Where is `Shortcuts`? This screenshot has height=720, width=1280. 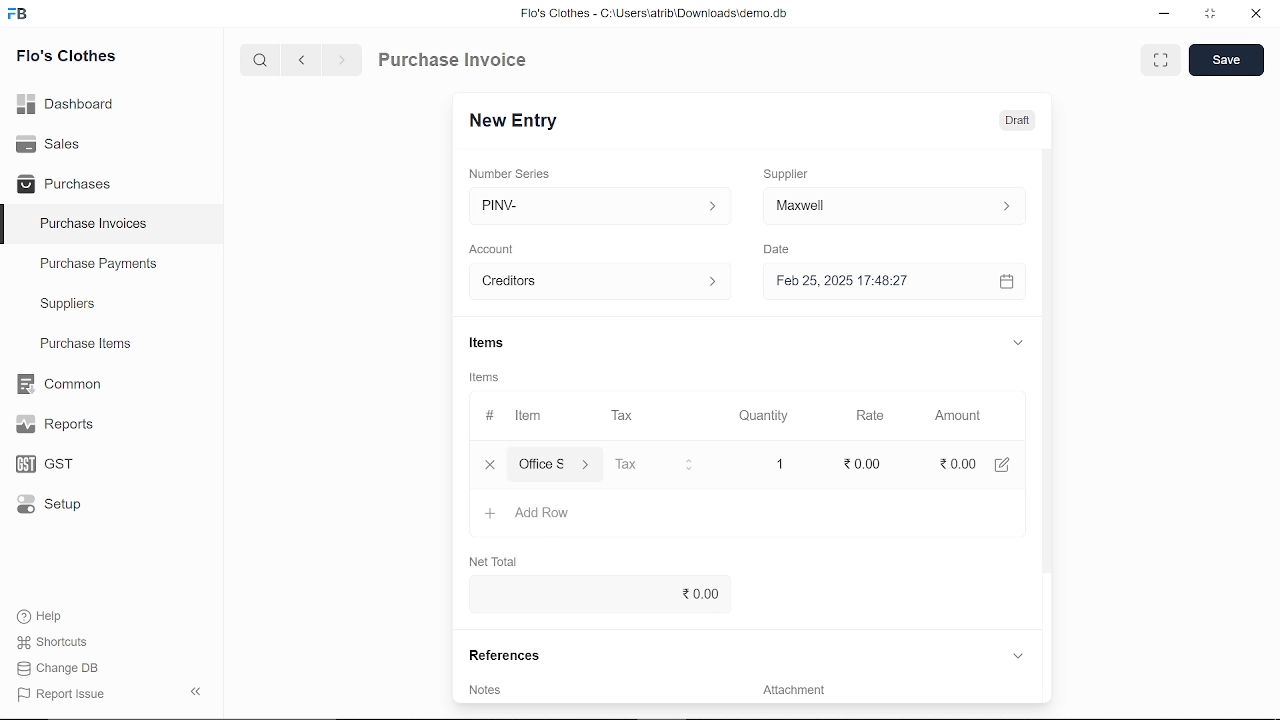
Shortcuts is located at coordinates (49, 643).